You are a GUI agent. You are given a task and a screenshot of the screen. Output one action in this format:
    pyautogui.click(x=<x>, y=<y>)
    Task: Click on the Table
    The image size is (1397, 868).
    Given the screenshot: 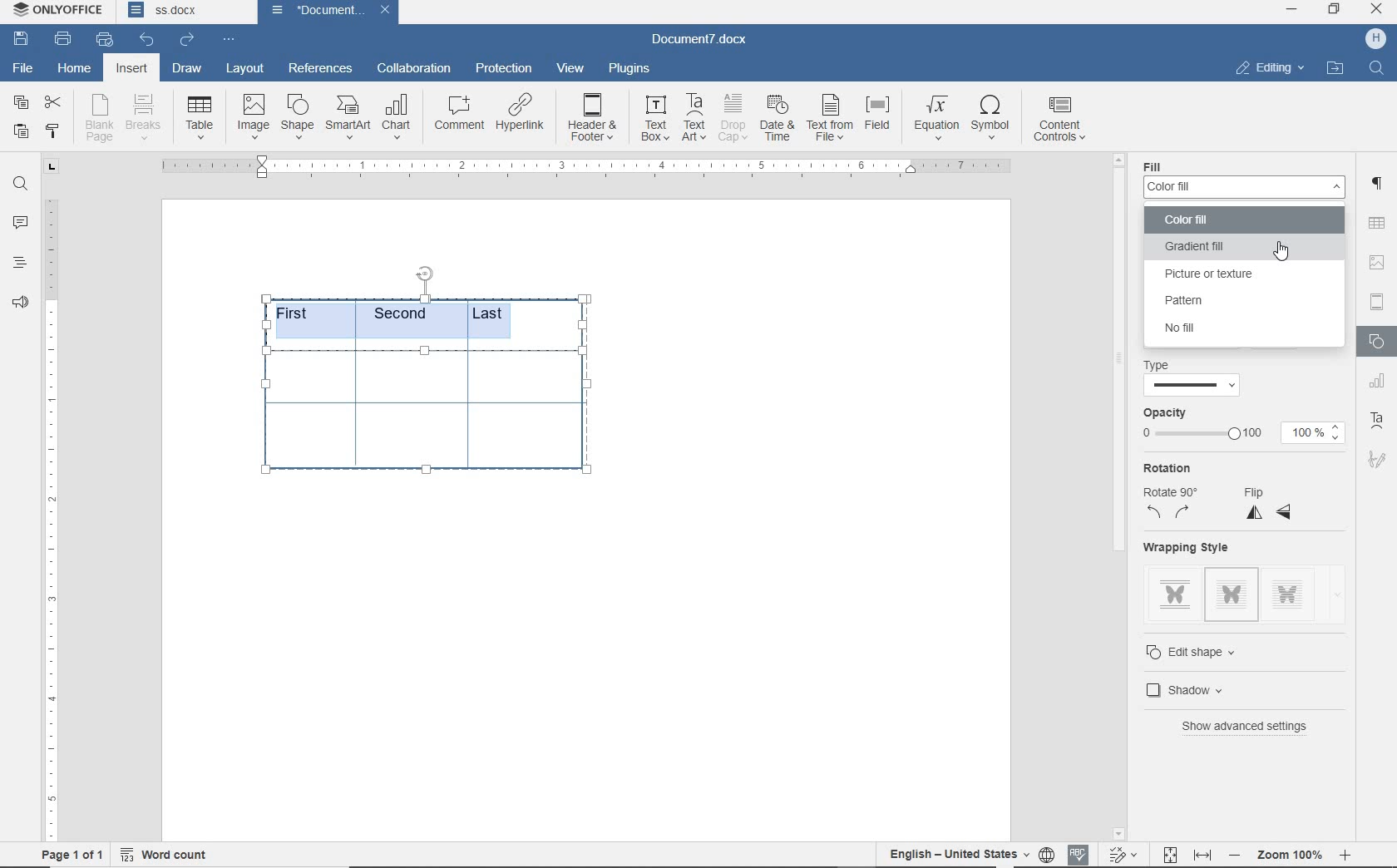 What is the action you would take?
    pyautogui.click(x=201, y=119)
    